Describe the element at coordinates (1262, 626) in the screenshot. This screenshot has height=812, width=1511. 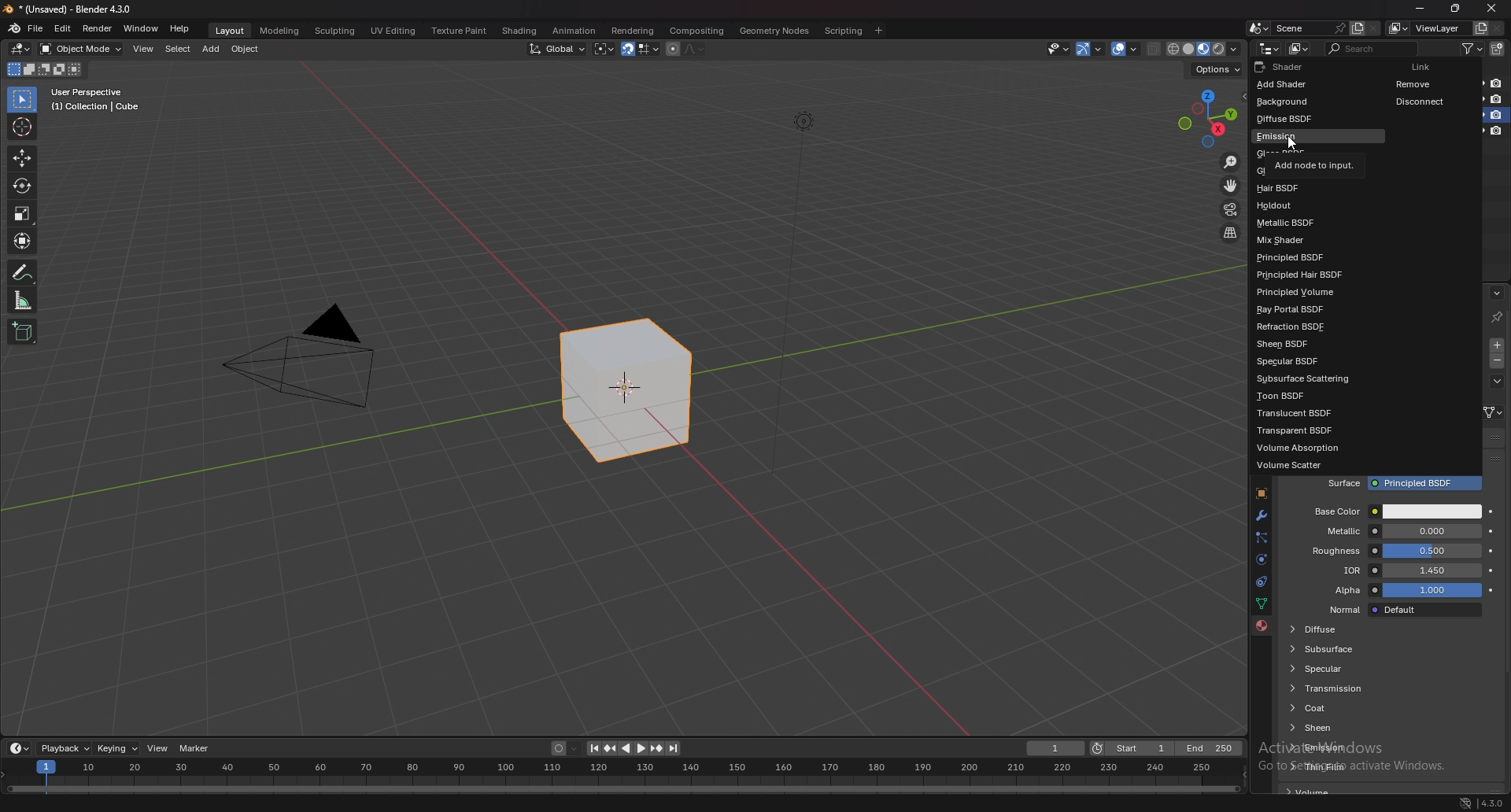
I see `material` at that location.